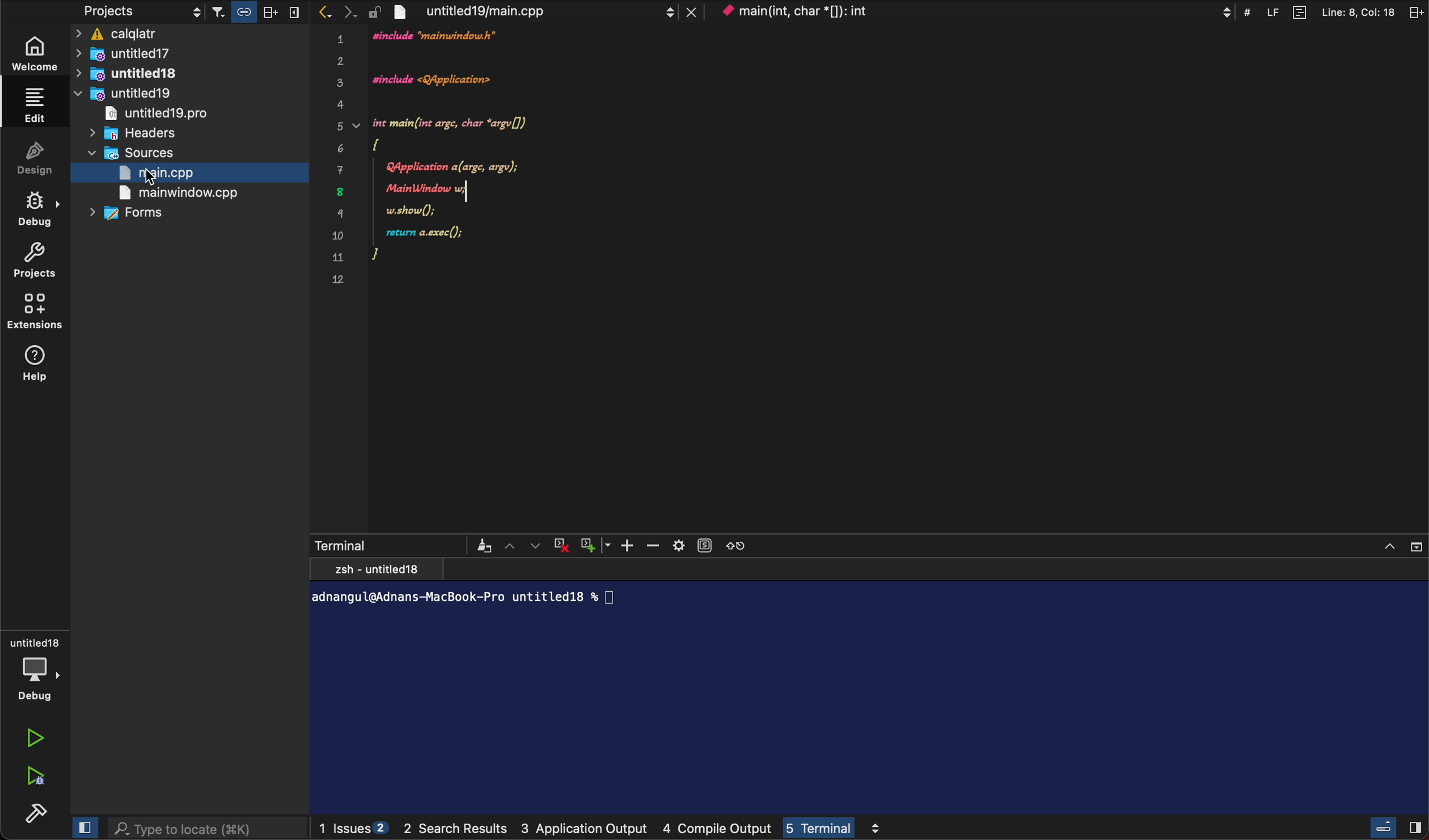  What do you see at coordinates (610, 829) in the screenshot?
I see `logs` at bounding box center [610, 829].